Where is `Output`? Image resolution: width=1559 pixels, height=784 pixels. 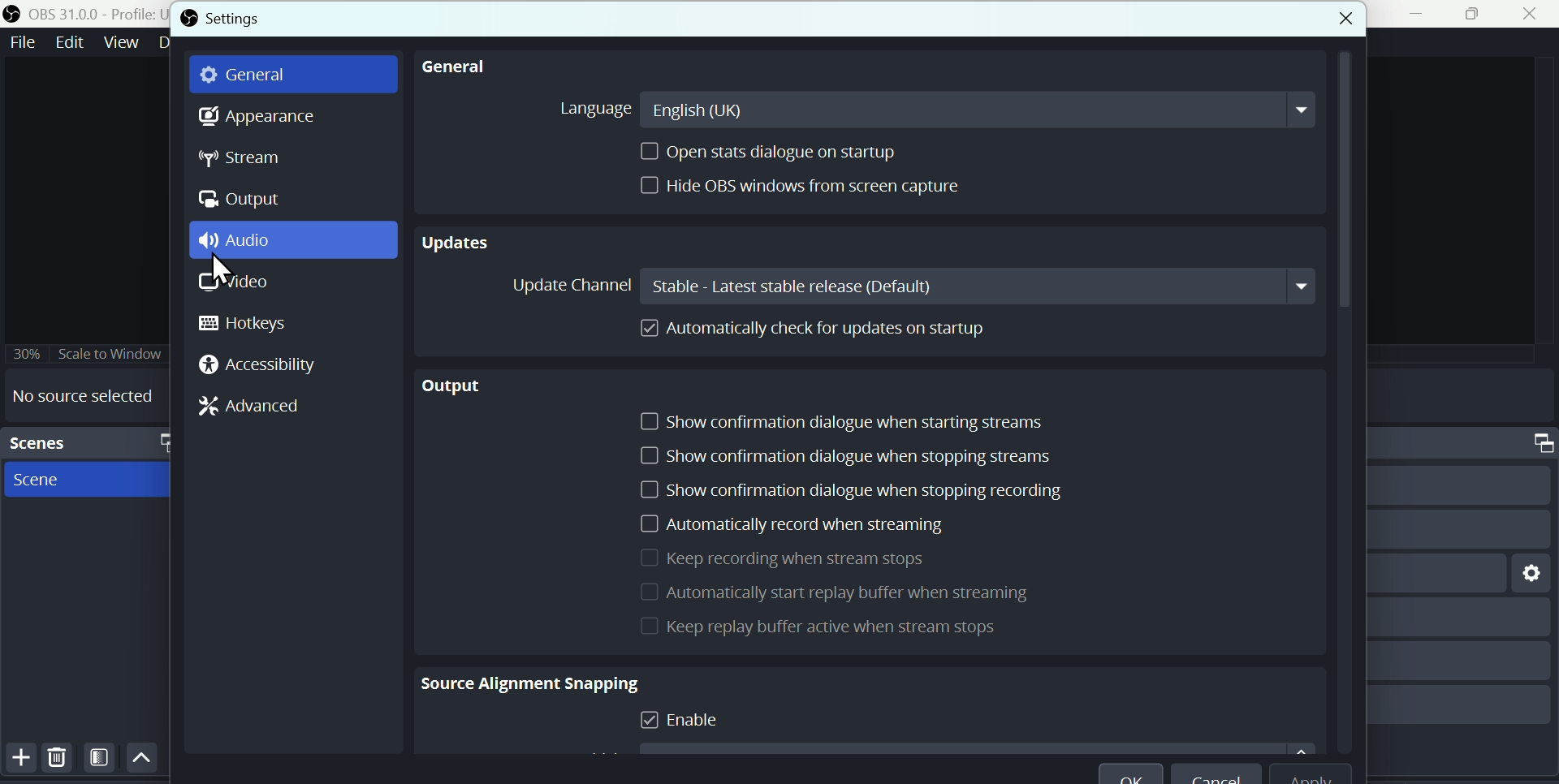
Output is located at coordinates (243, 200).